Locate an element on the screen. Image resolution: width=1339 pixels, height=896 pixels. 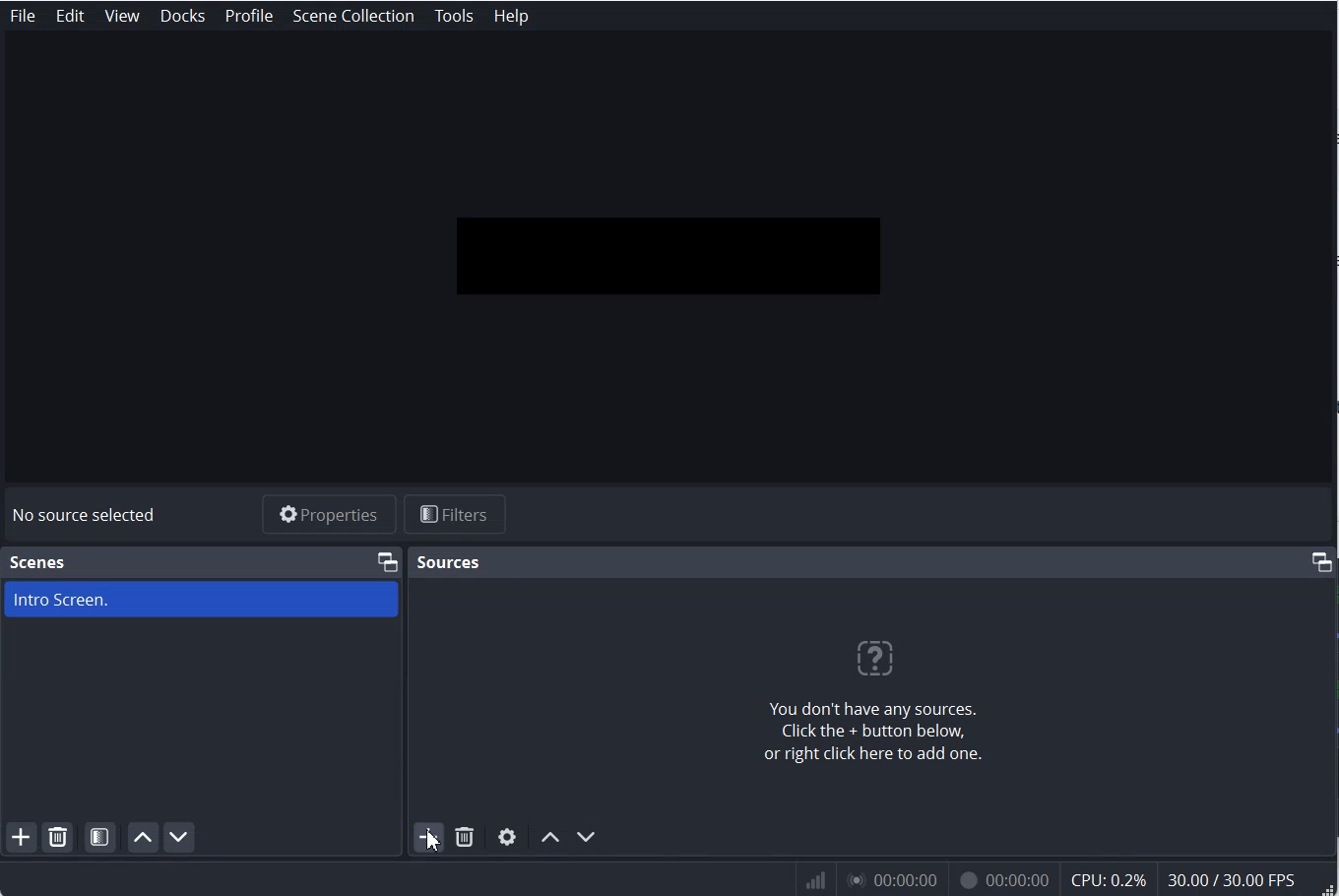
Tools is located at coordinates (454, 16).